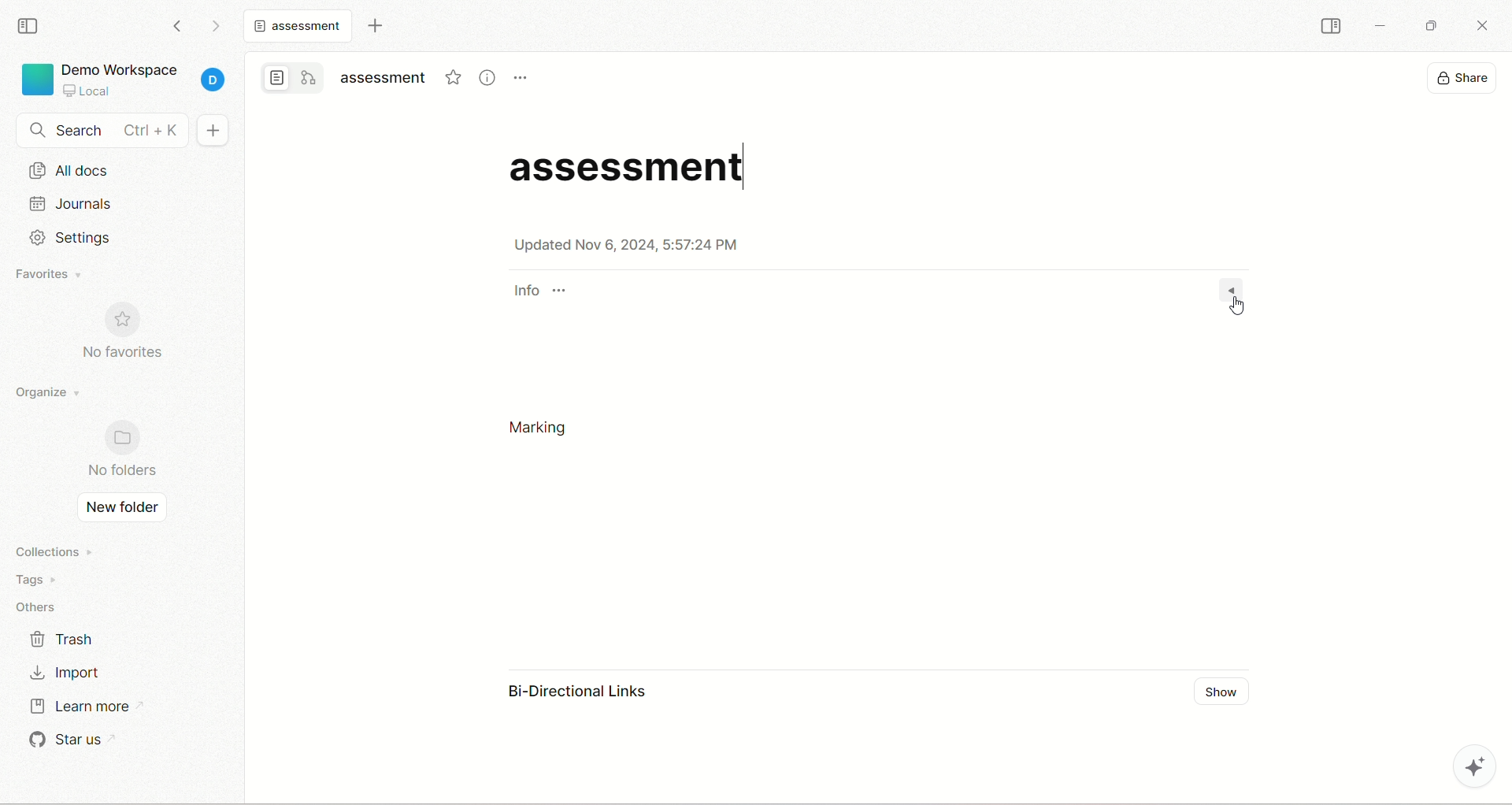  I want to click on more options, so click(521, 77).